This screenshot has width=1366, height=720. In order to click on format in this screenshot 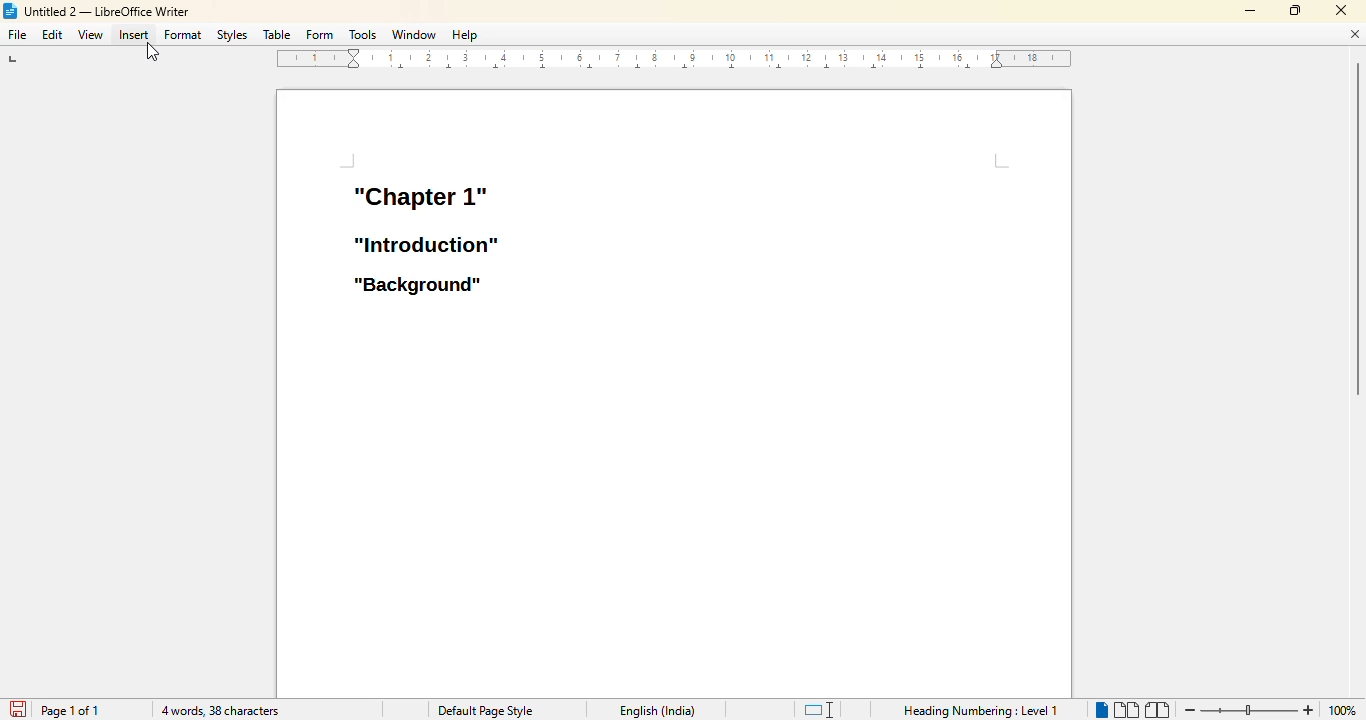, I will do `click(182, 34)`.